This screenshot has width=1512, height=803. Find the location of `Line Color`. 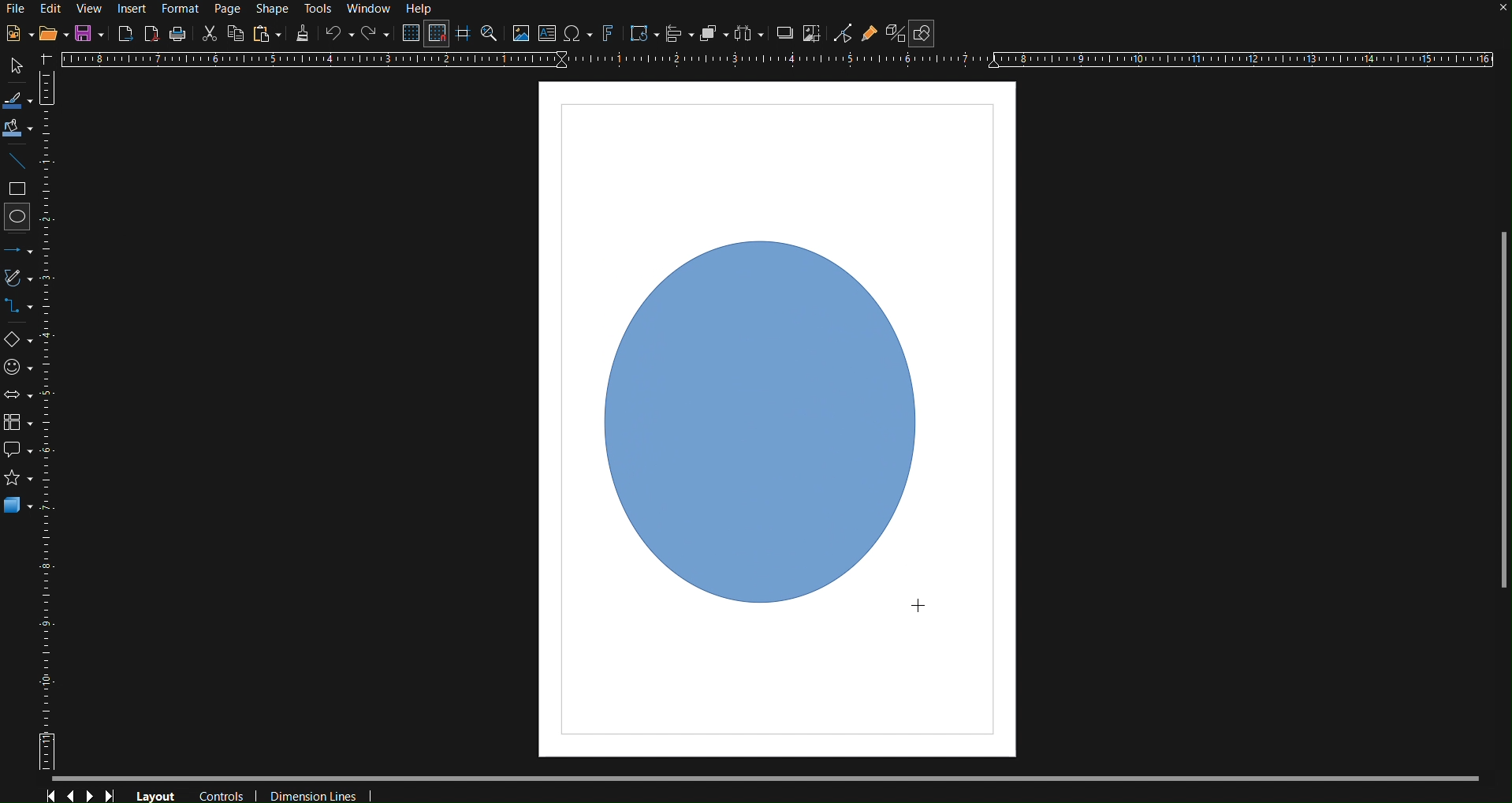

Line Color is located at coordinates (17, 99).